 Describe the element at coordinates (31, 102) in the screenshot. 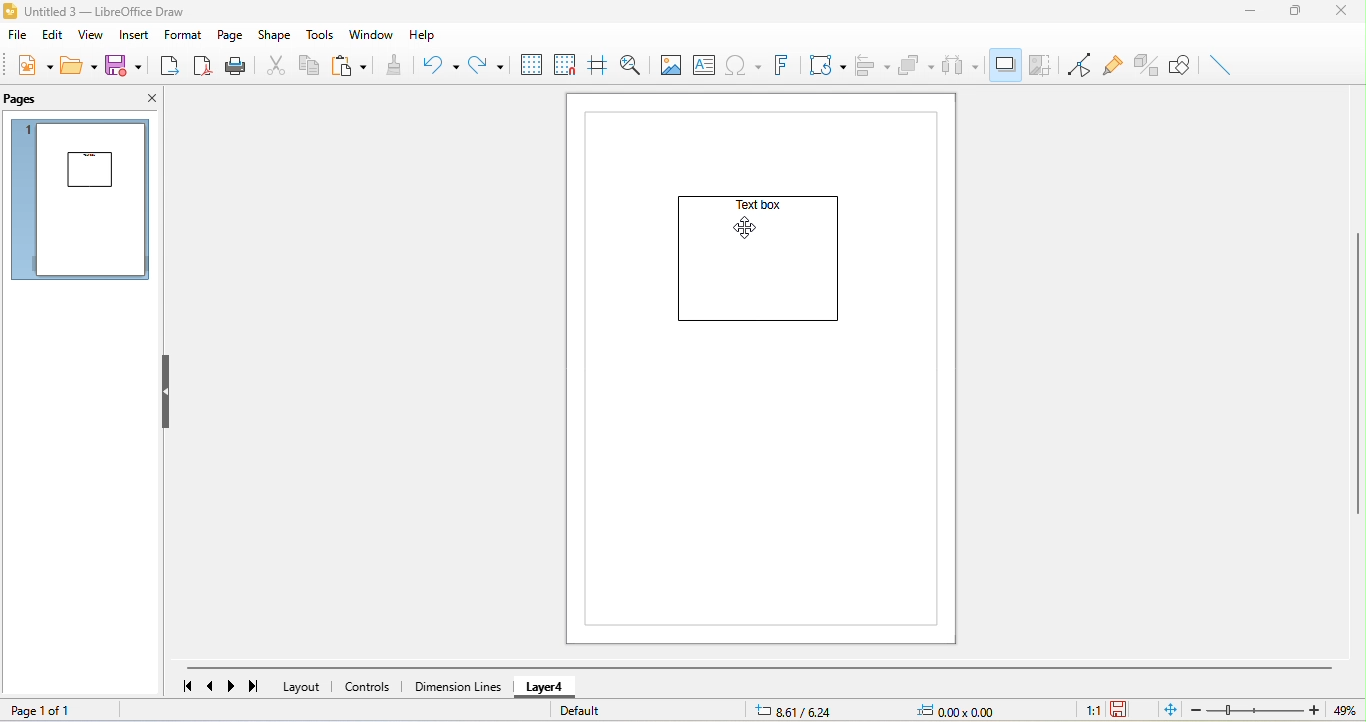

I see `pages` at that location.